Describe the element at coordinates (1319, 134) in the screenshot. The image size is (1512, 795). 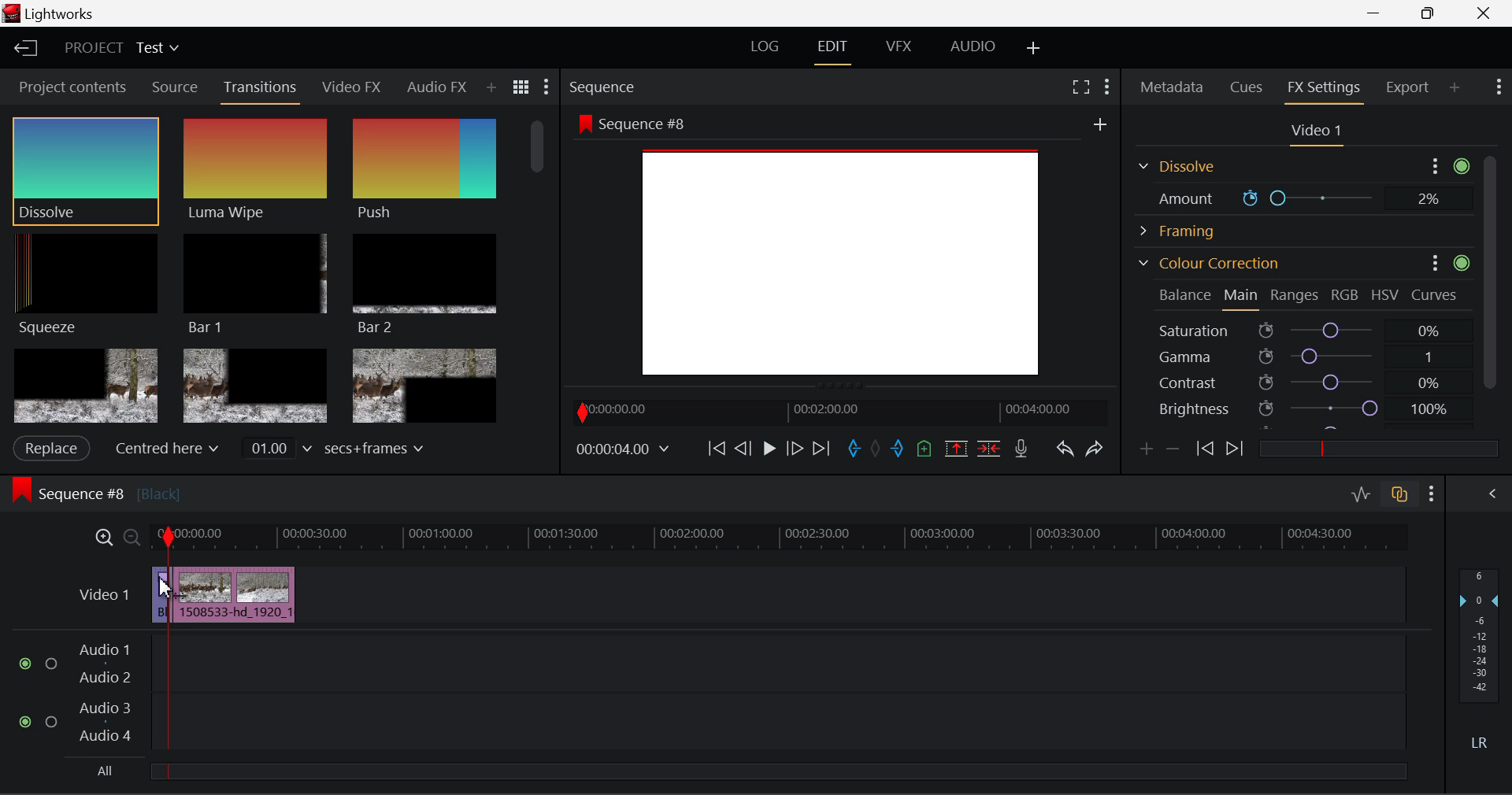
I see `Video 1 Settings` at that location.